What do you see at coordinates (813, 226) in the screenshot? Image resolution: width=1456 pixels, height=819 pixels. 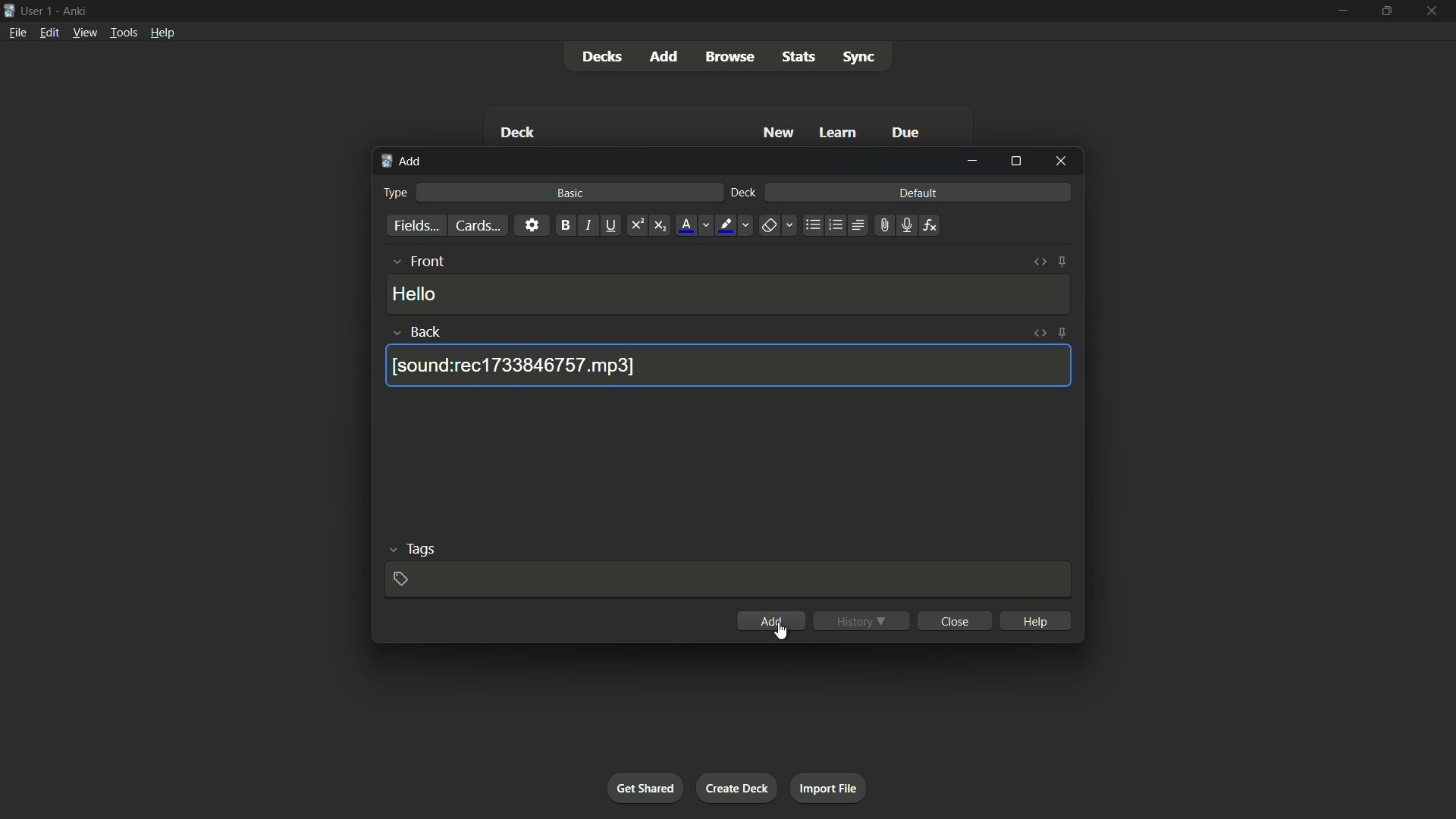 I see `unordered list` at bounding box center [813, 226].